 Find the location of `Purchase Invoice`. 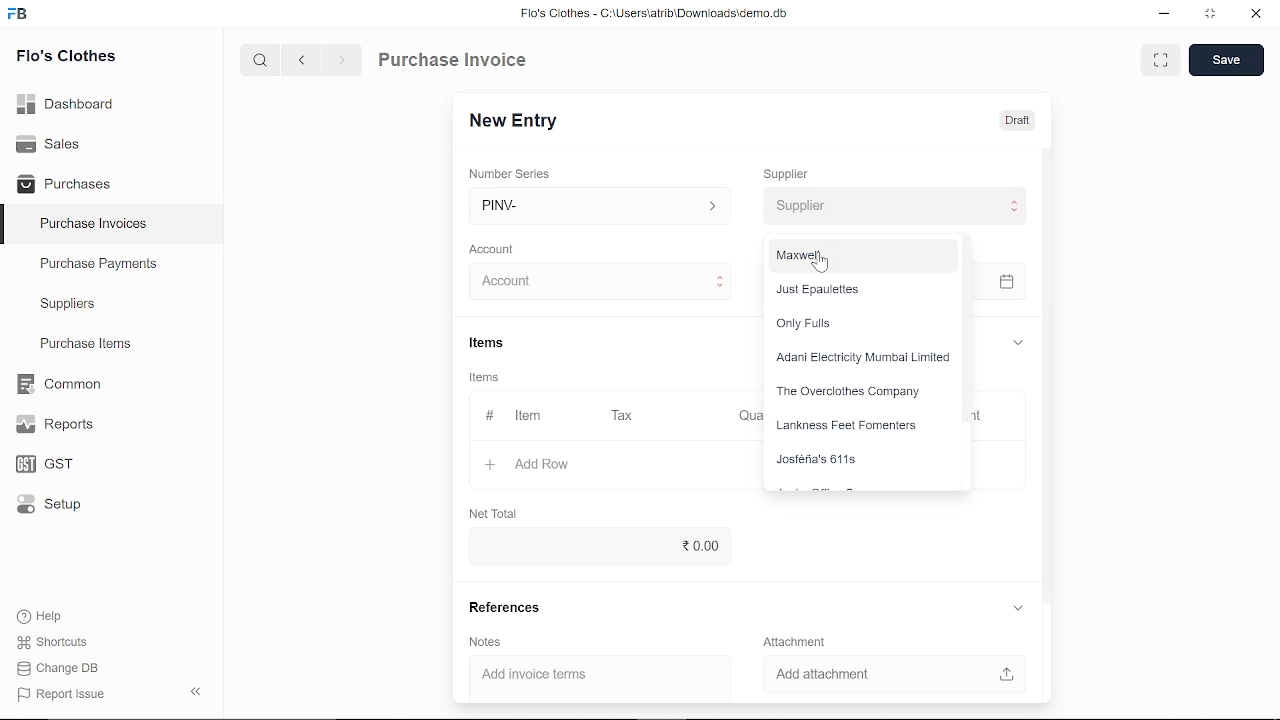

Purchase Invoice is located at coordinates (456, 62).